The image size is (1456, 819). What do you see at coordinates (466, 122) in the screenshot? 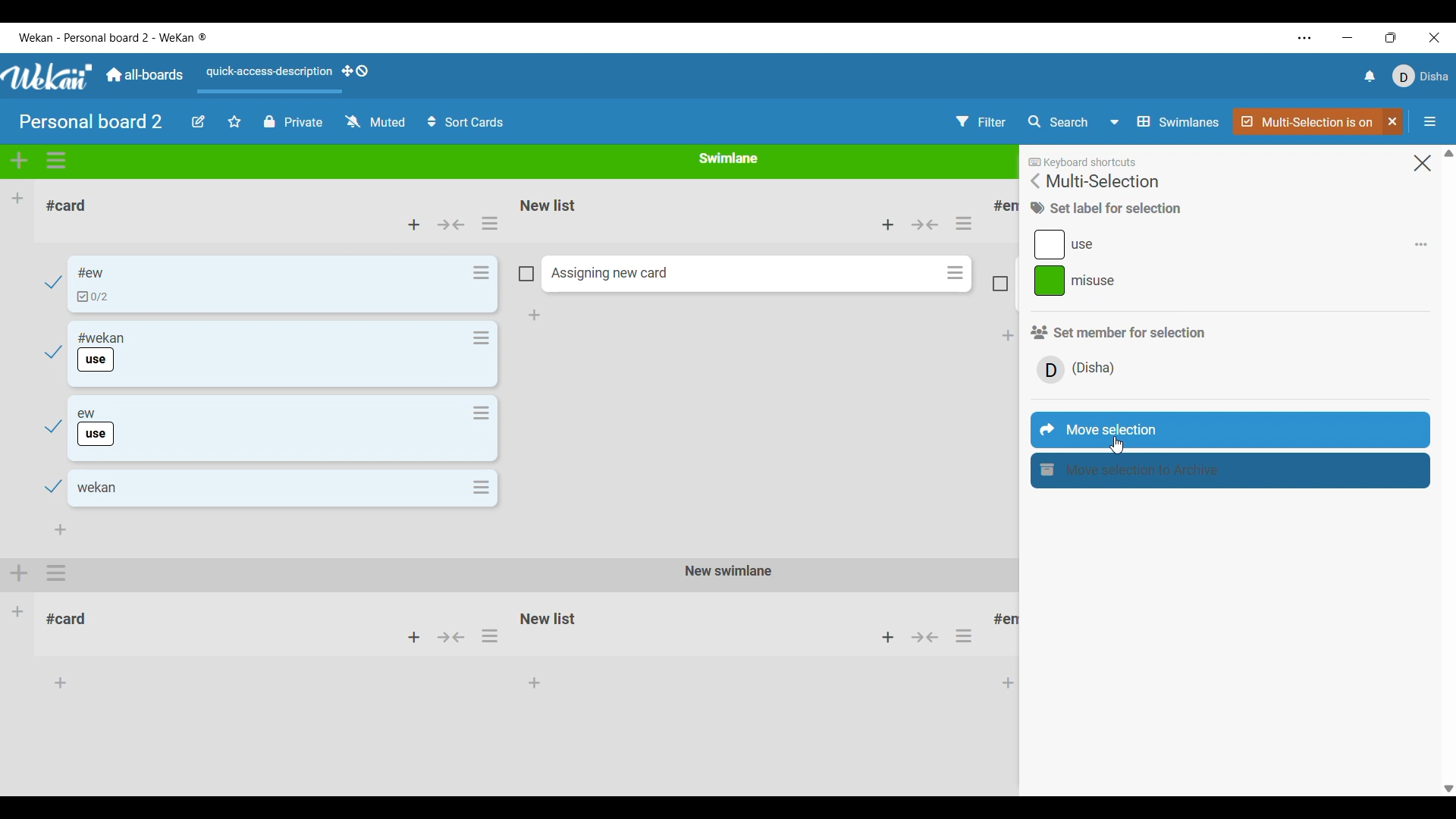
I see `Sort cards` at bounding box center [466, 122].